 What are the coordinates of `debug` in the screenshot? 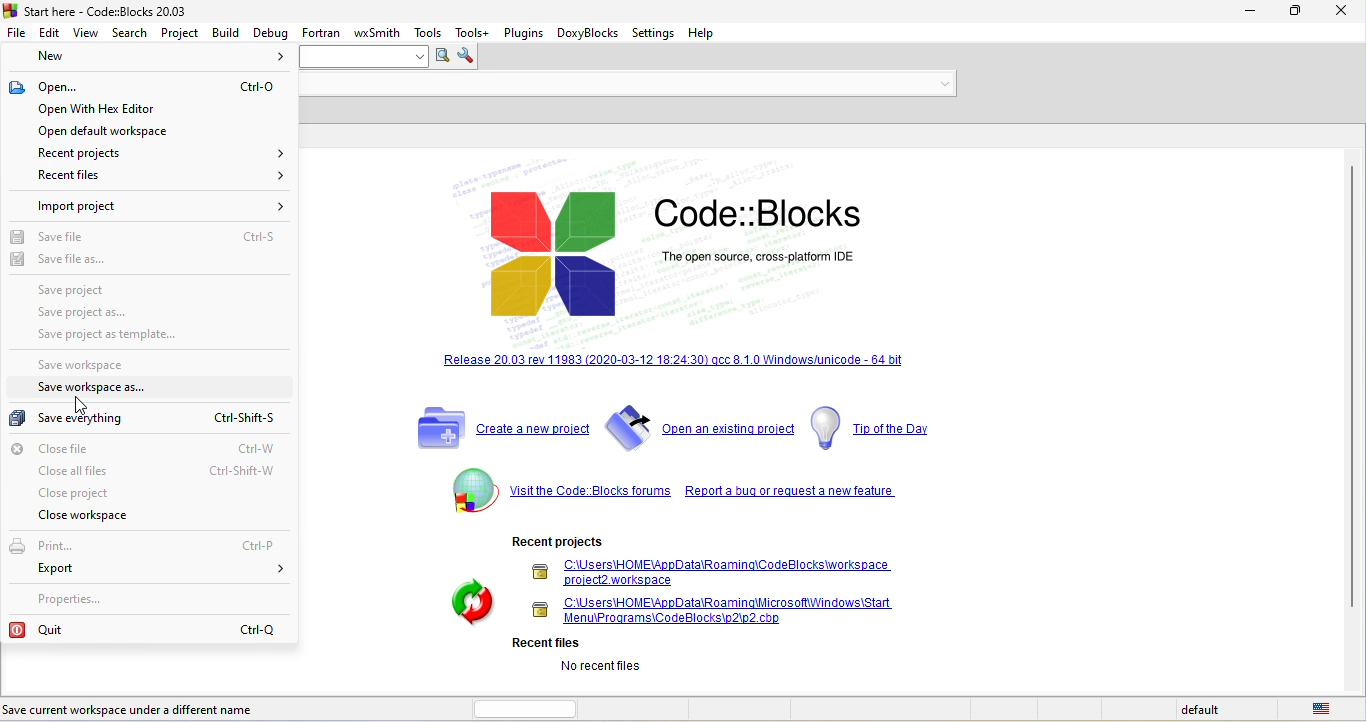 It's located at (270, 31).